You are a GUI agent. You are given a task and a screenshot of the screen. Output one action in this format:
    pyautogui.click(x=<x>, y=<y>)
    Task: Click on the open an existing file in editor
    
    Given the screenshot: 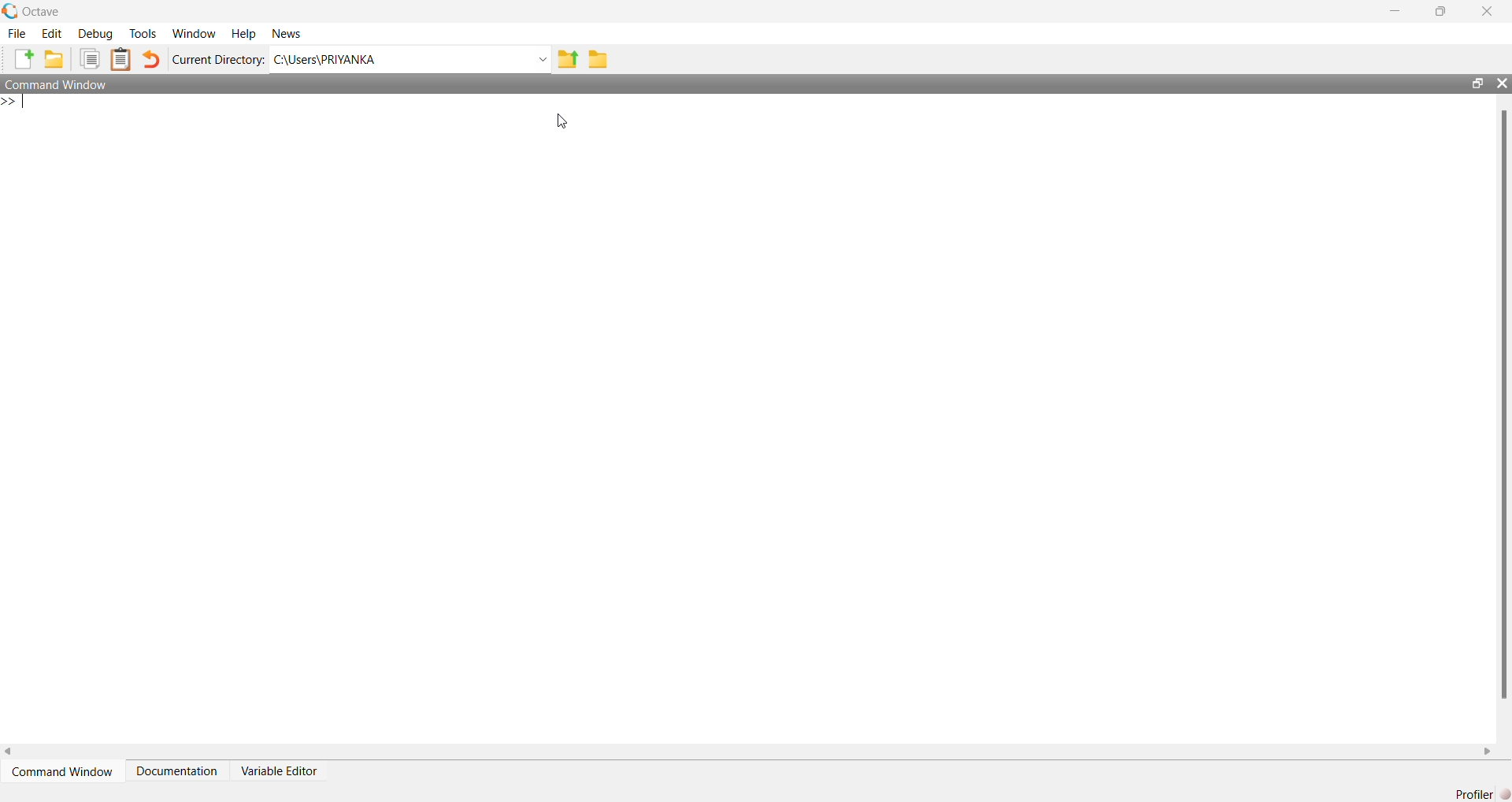 What is the action you would take?
    pyautogui.click(x=57, y=61)
    